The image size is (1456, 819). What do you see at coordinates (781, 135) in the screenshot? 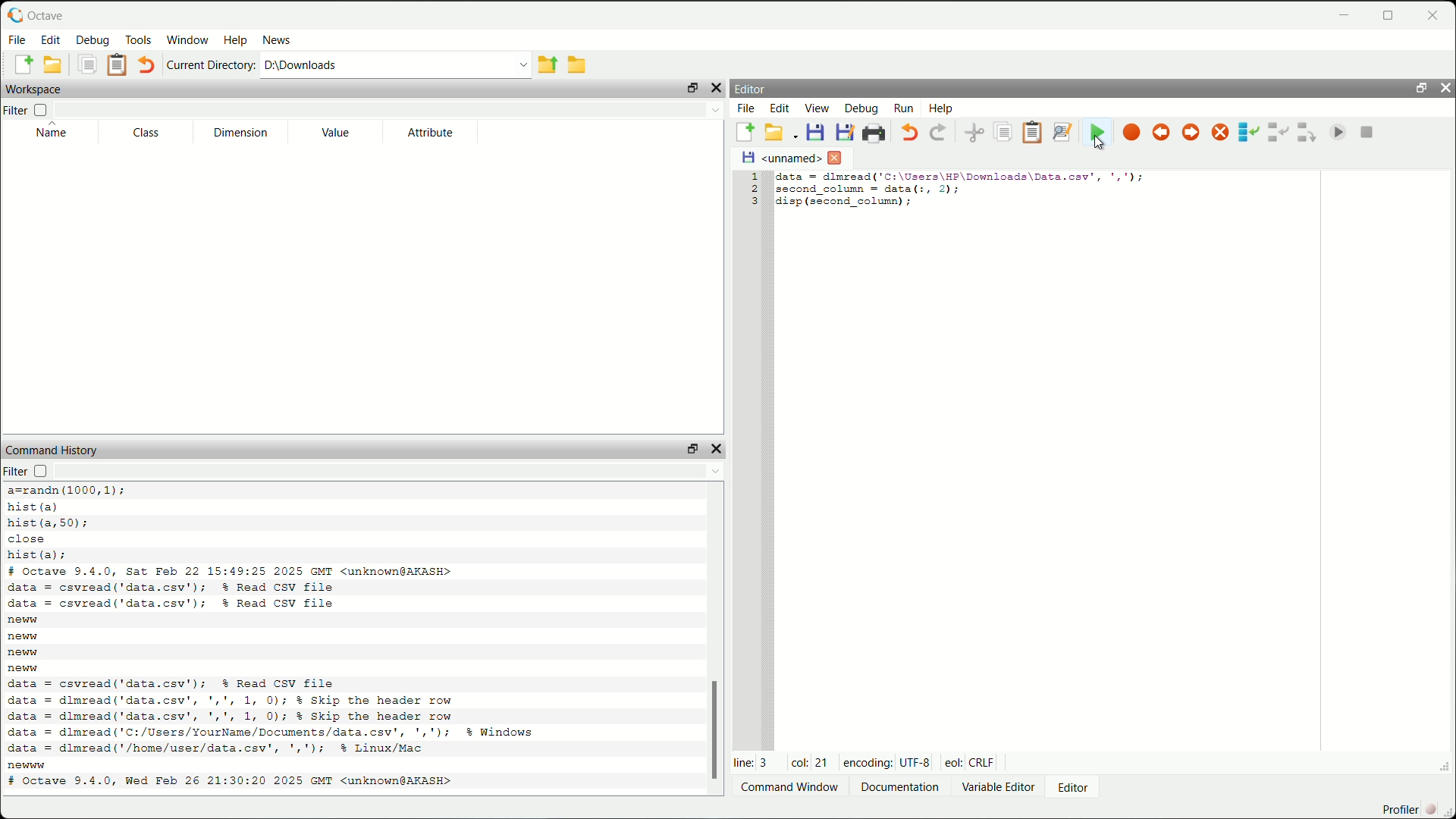
I see `open an existing file in editor` at bounding box center [781, 135].